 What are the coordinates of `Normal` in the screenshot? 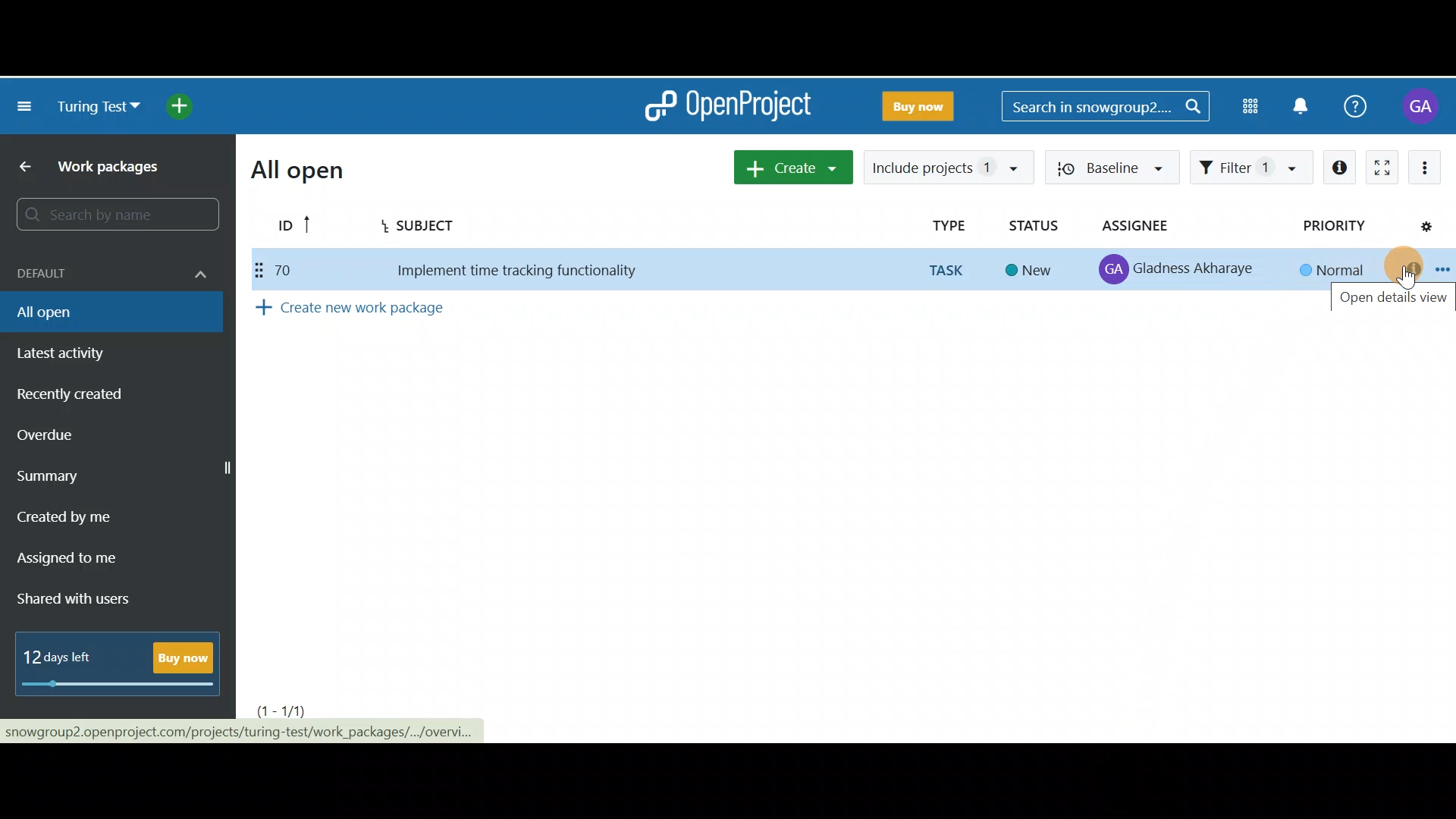 It's located at (1327, 268).